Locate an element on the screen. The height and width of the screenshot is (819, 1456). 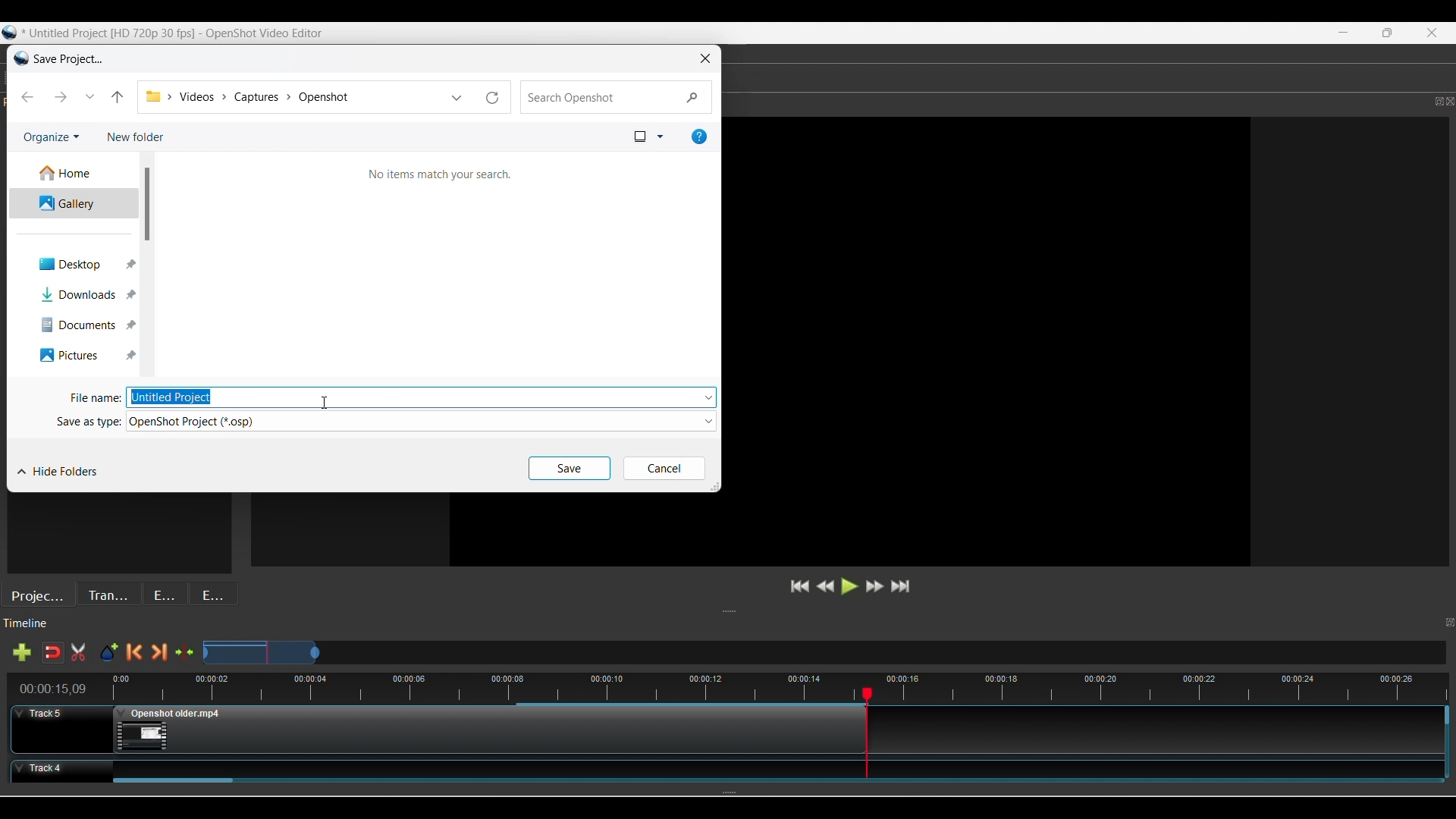
Play is located at coordinates (851, 586).